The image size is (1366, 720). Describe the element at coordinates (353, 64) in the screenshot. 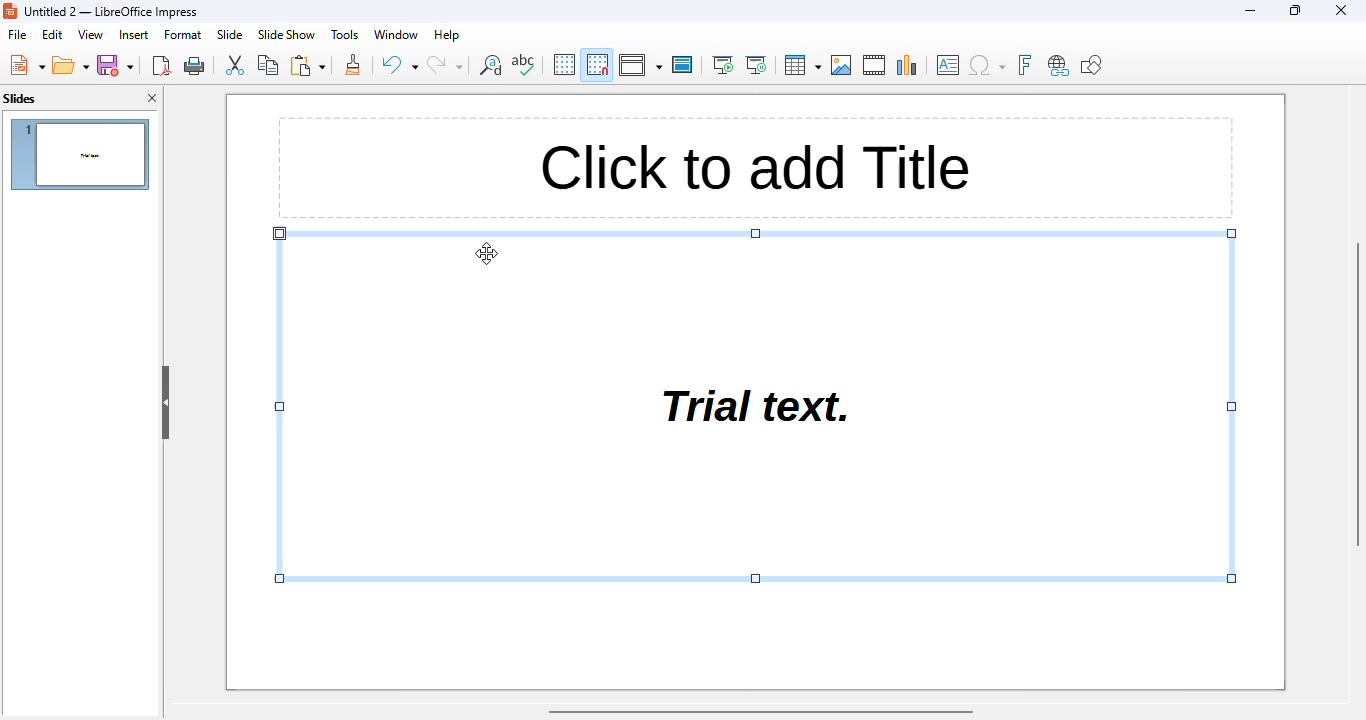

I see `clone formatting` at that location.